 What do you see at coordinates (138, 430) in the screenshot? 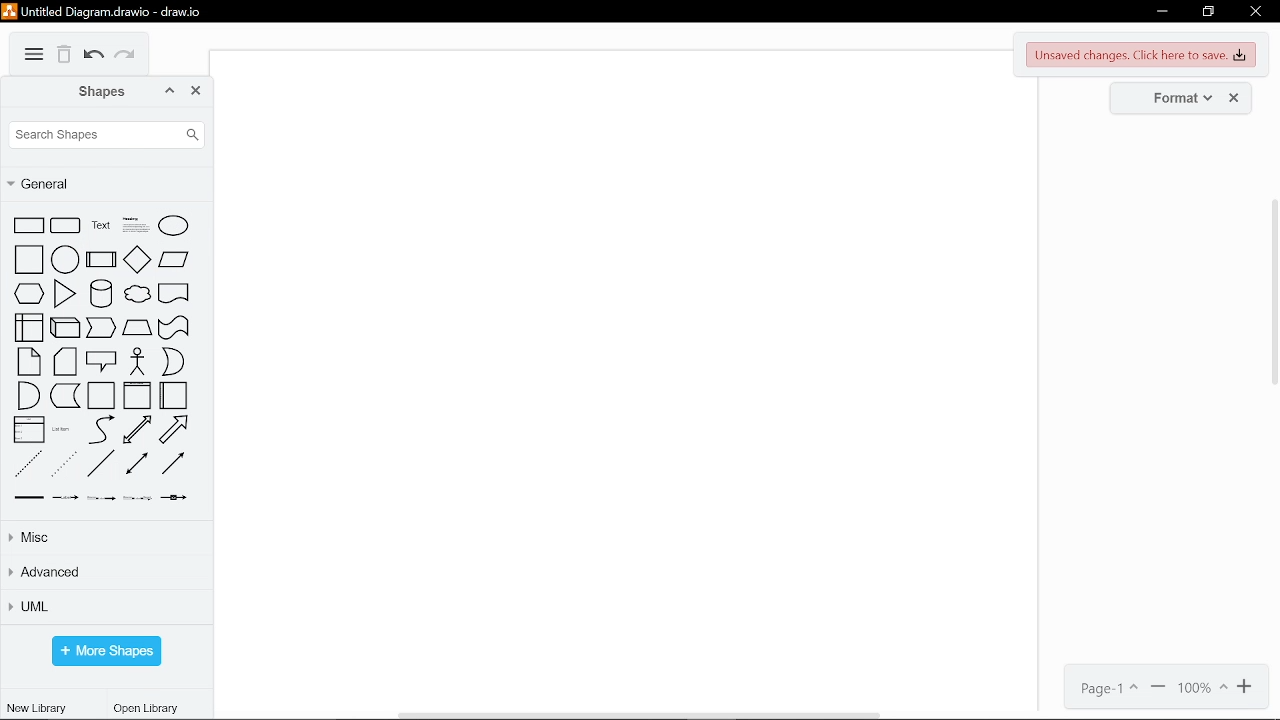
I see `bidirectional arrow` at bounding box center [138, 430].